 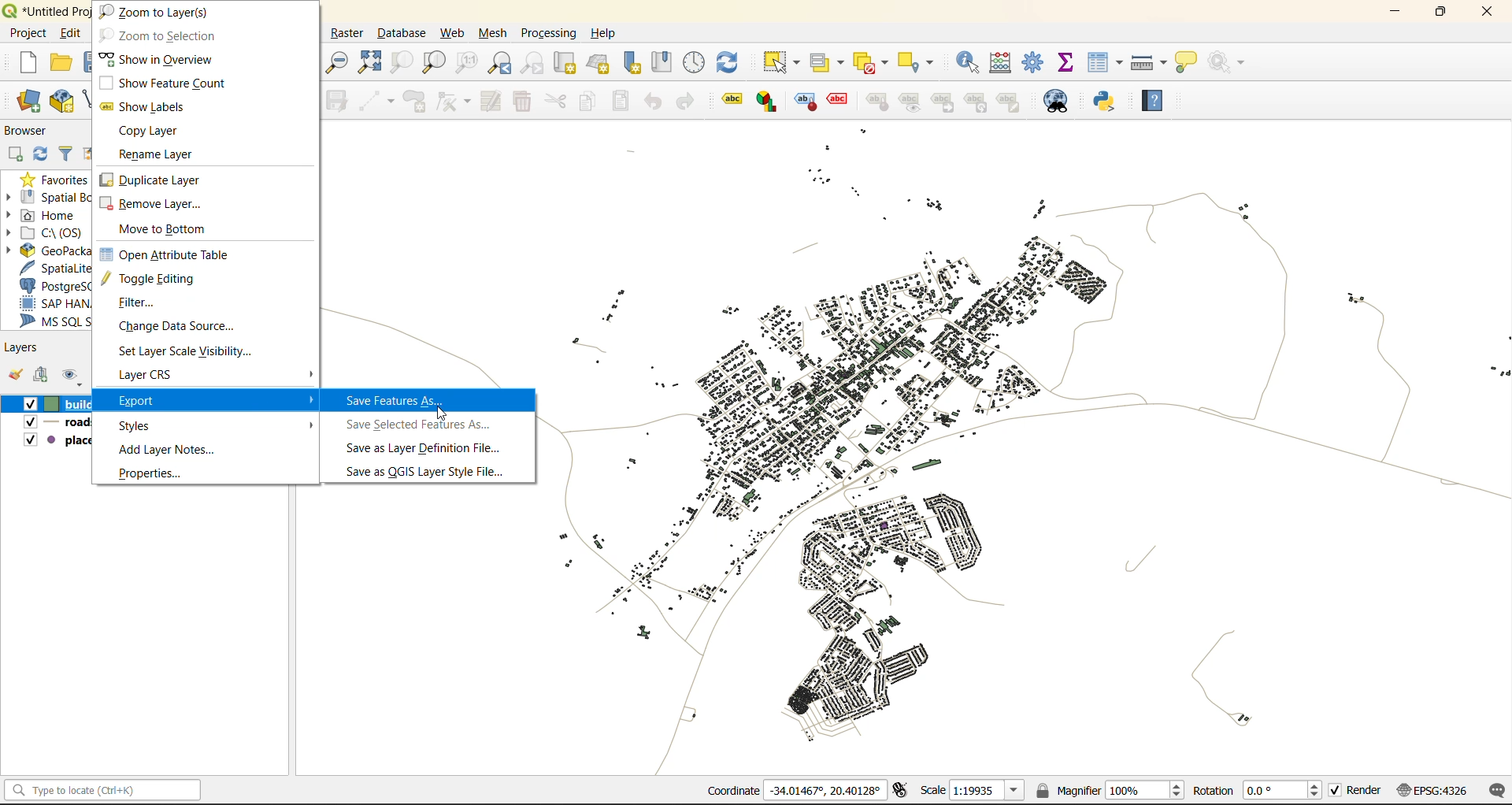 I want to click on redo, so click(x=687, y=103).